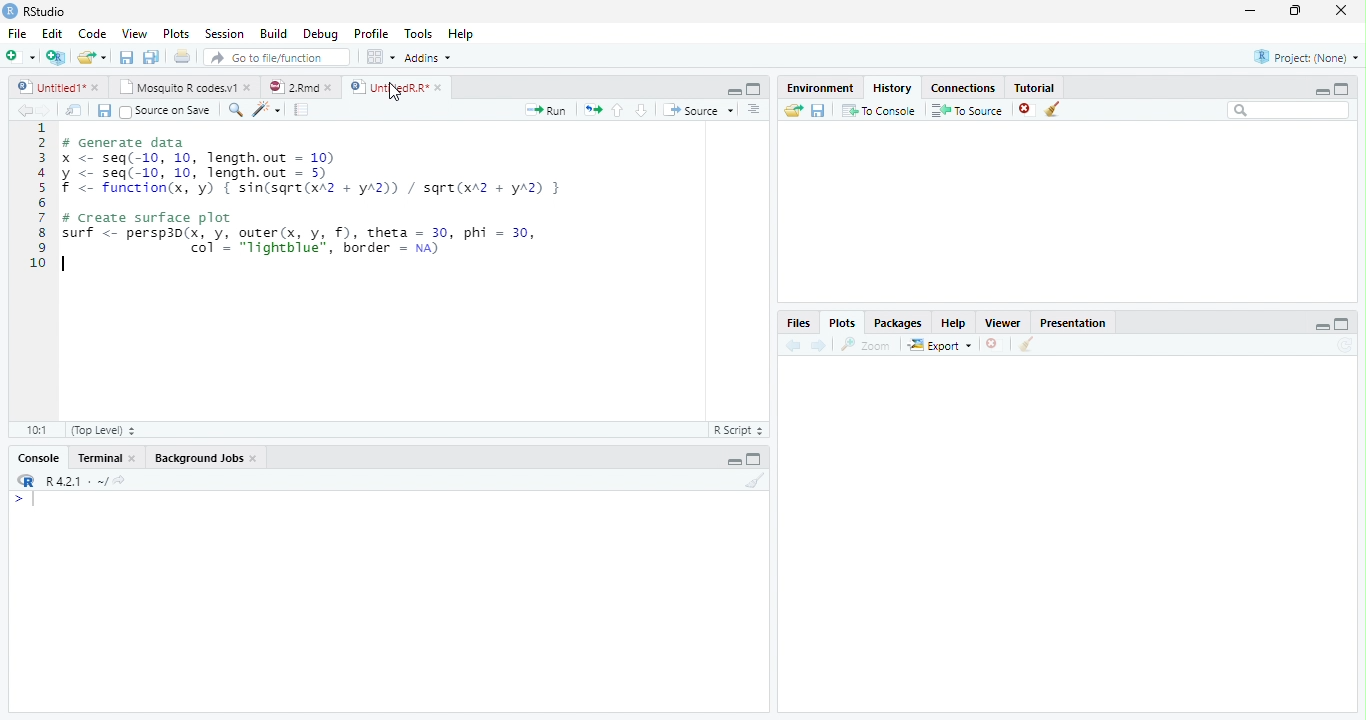 The height and width of the screenshot is (720, 1366). What do you see at coordinates (292, 86) in the screenshot?
I see `2.Rmd` at bounding box center [292, 86].